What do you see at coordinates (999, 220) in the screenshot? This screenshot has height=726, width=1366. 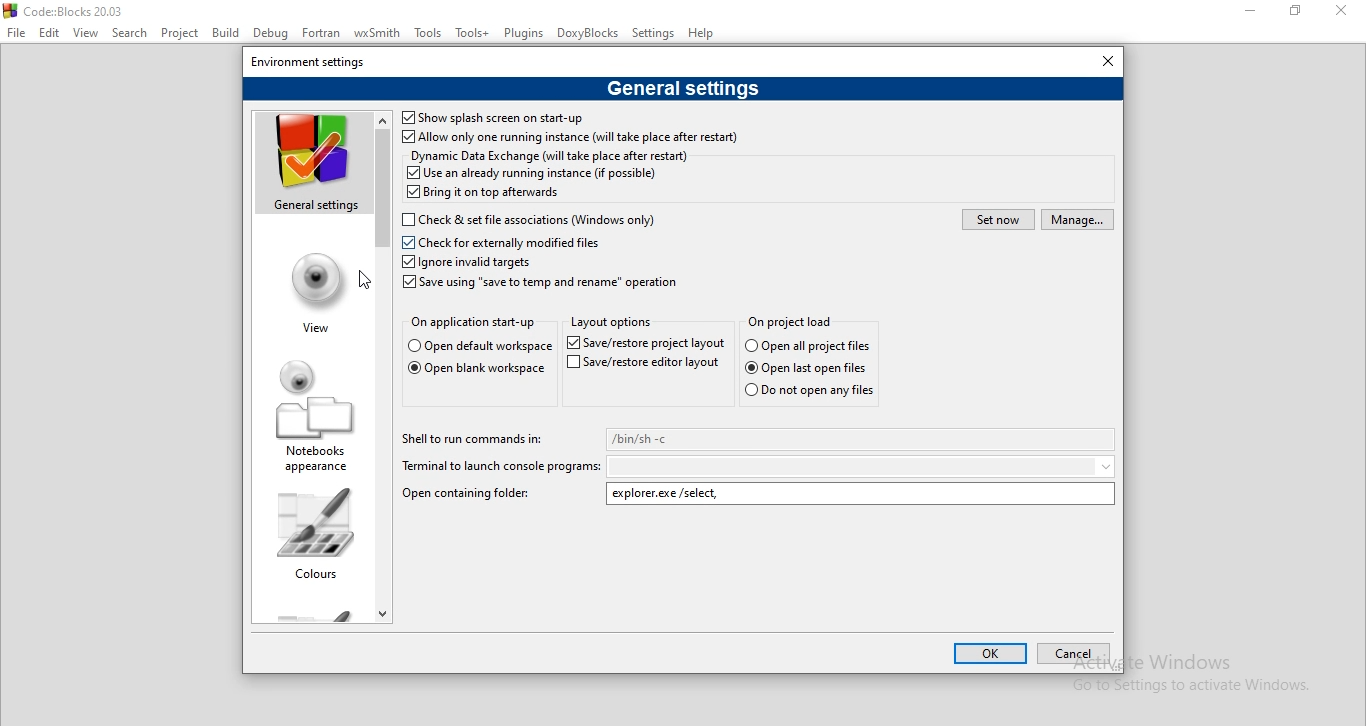 I see `set now` at bounding box center [999, 220].